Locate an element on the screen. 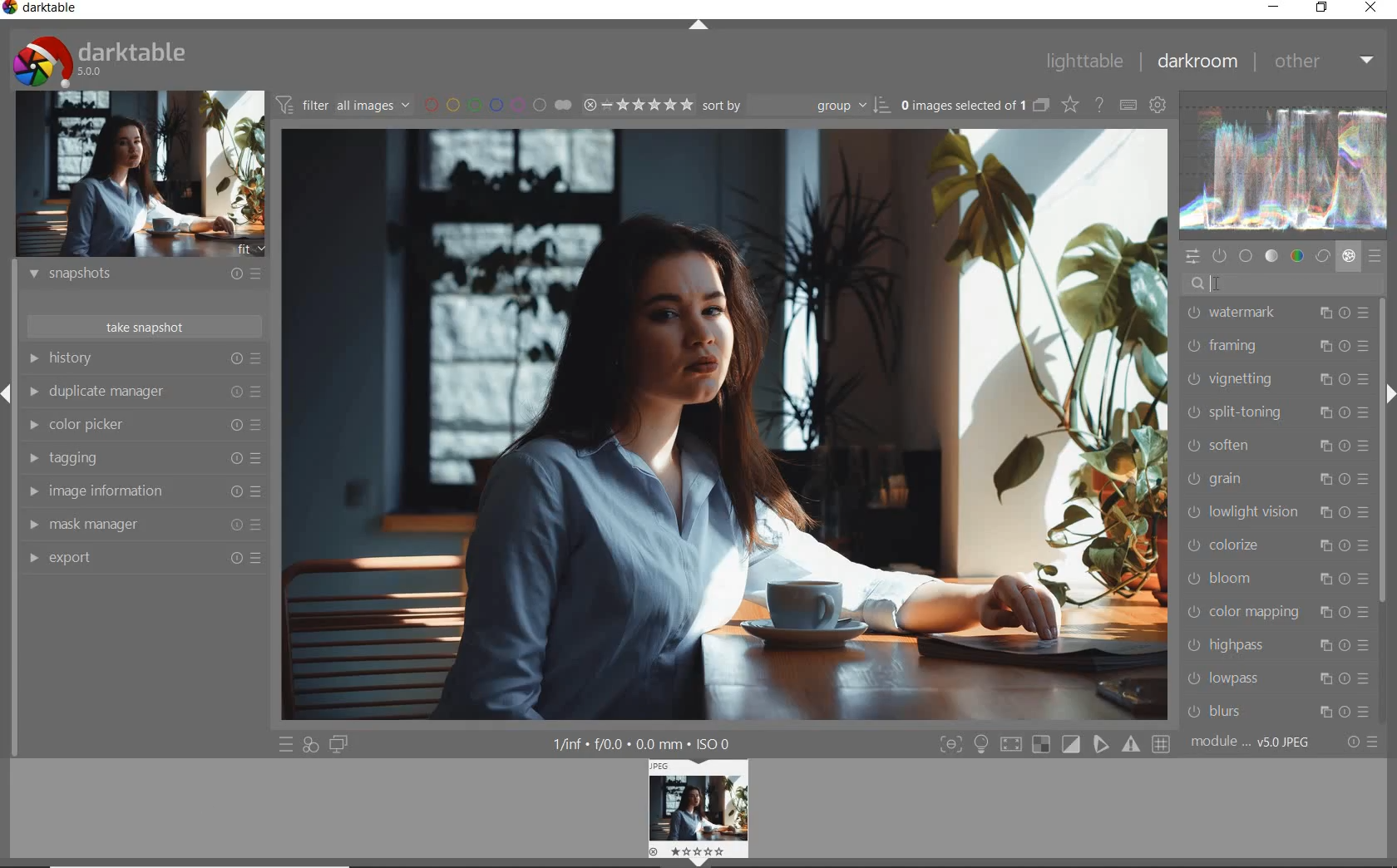 Image resolution: width=1397 pixels, height=868 pixels. enable online help is located at coordinates (1100, 105).